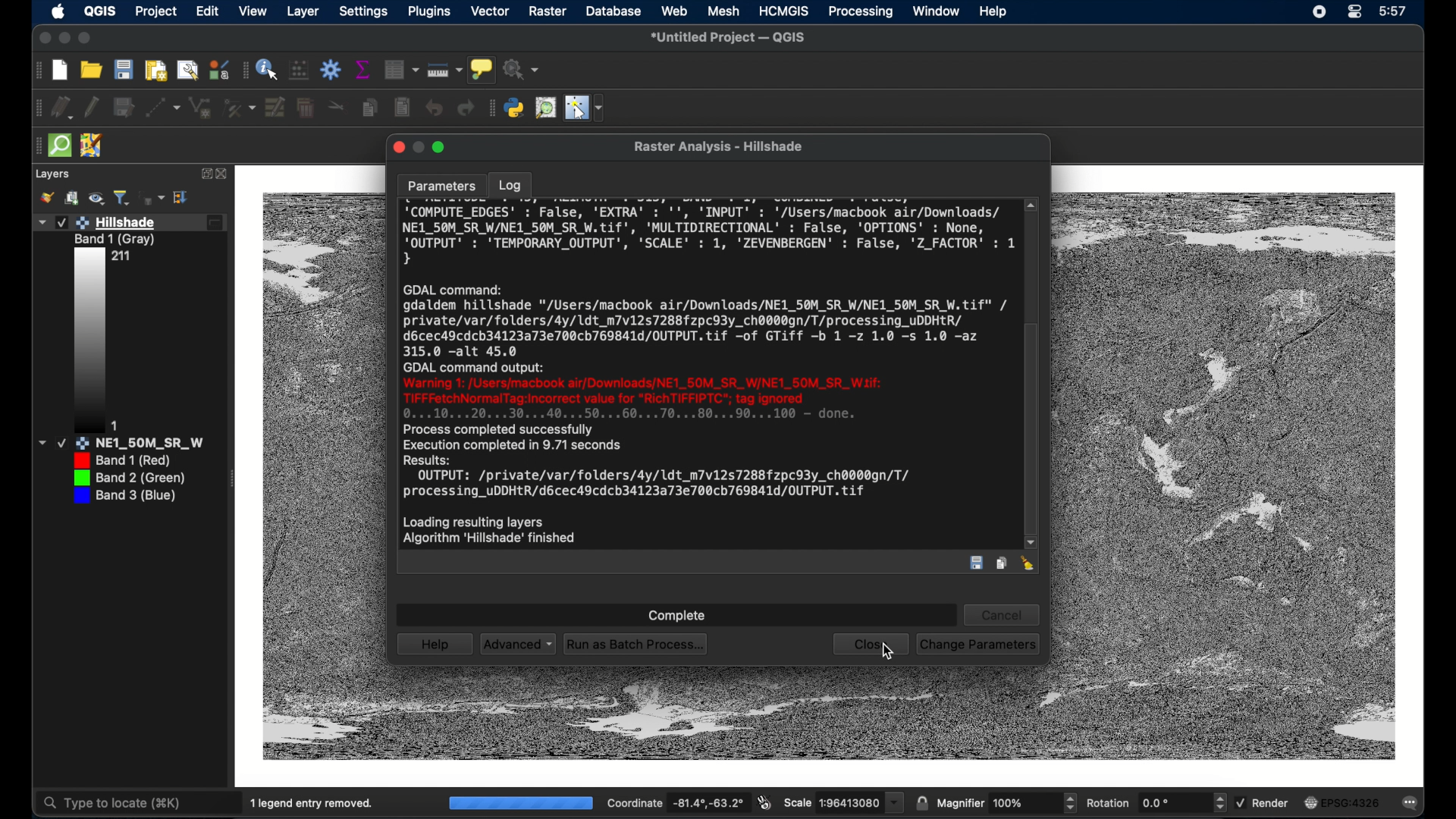 This screenshot has width=1456, height=819. What do you see at coordinates (362, 69) in the screenshot?
I see `show statistical summary` at bounding box center [362, 69].